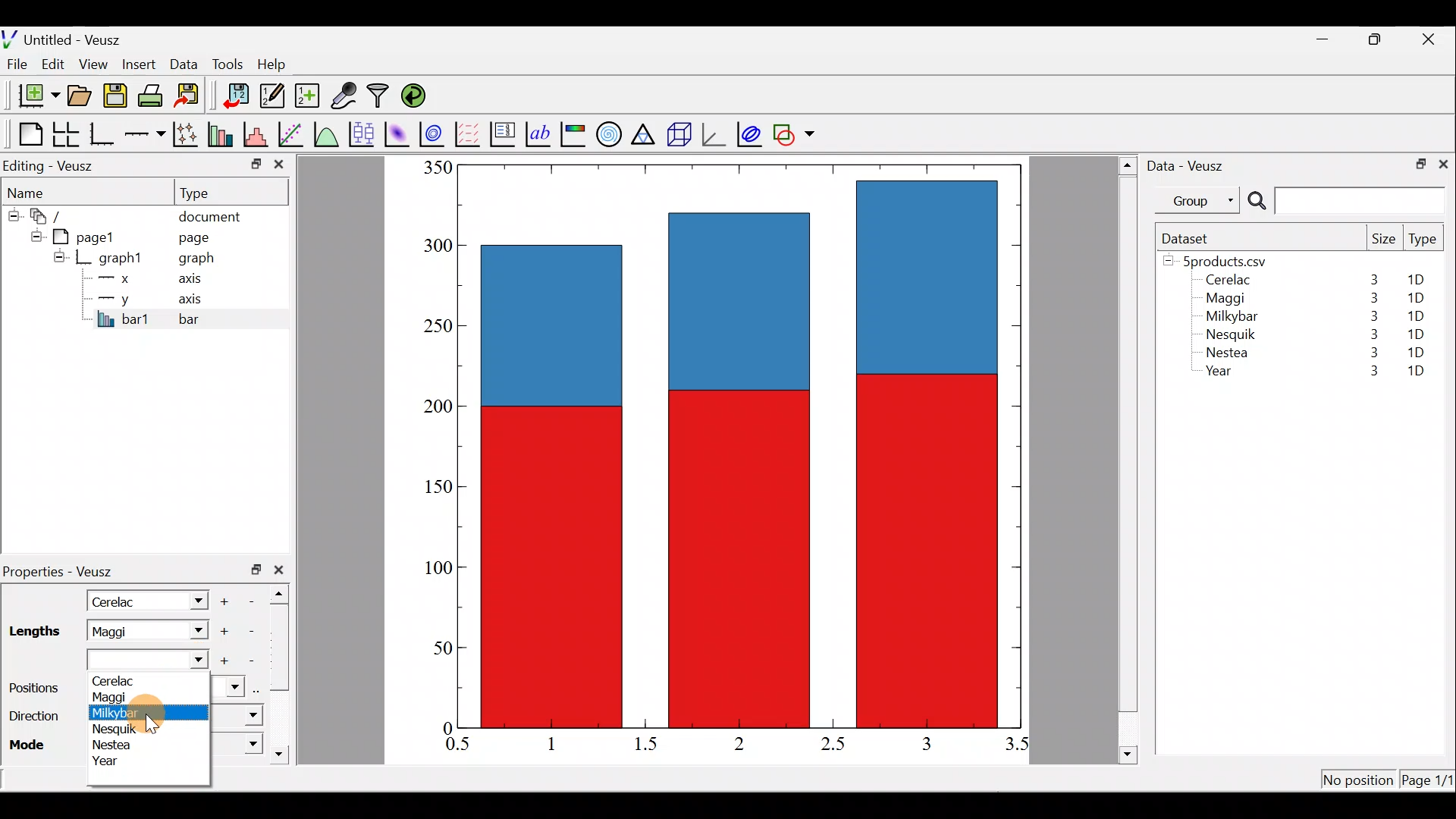  I want to click on Remove item, so click(256, 600).